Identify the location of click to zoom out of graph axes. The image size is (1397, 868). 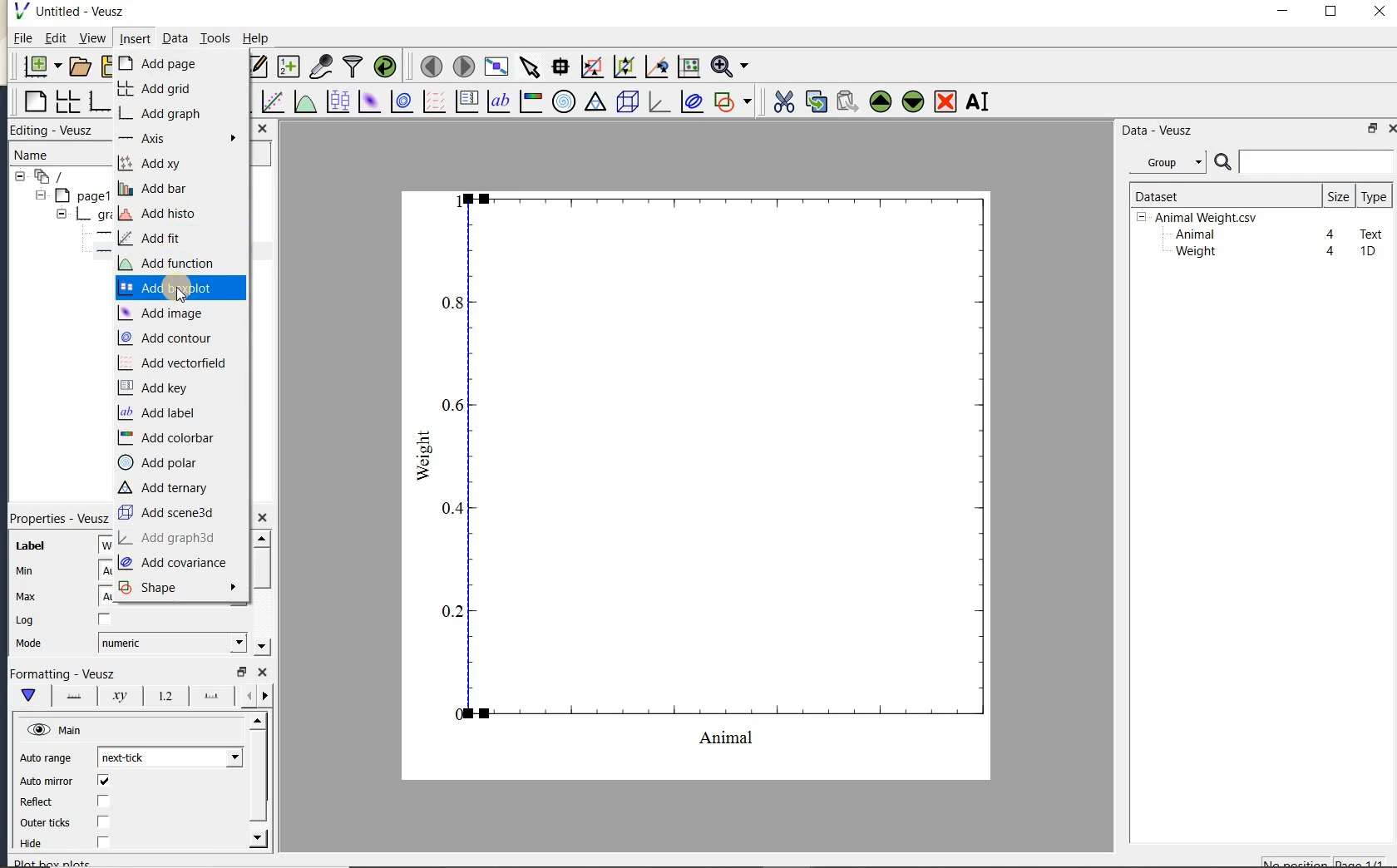
(625, 66).